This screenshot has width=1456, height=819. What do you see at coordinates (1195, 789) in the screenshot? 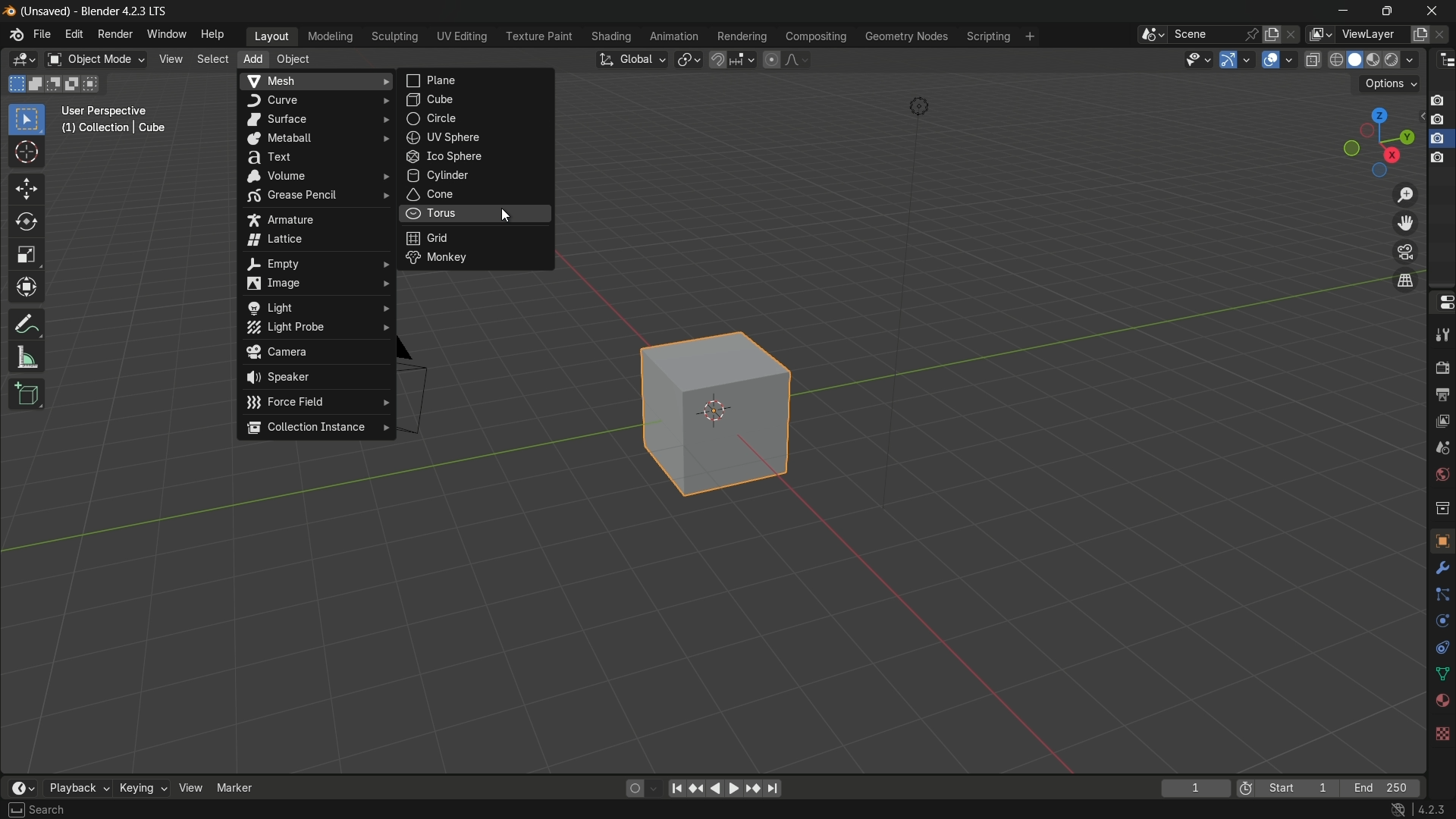
I see `1` at bounding box center [1195, 789].